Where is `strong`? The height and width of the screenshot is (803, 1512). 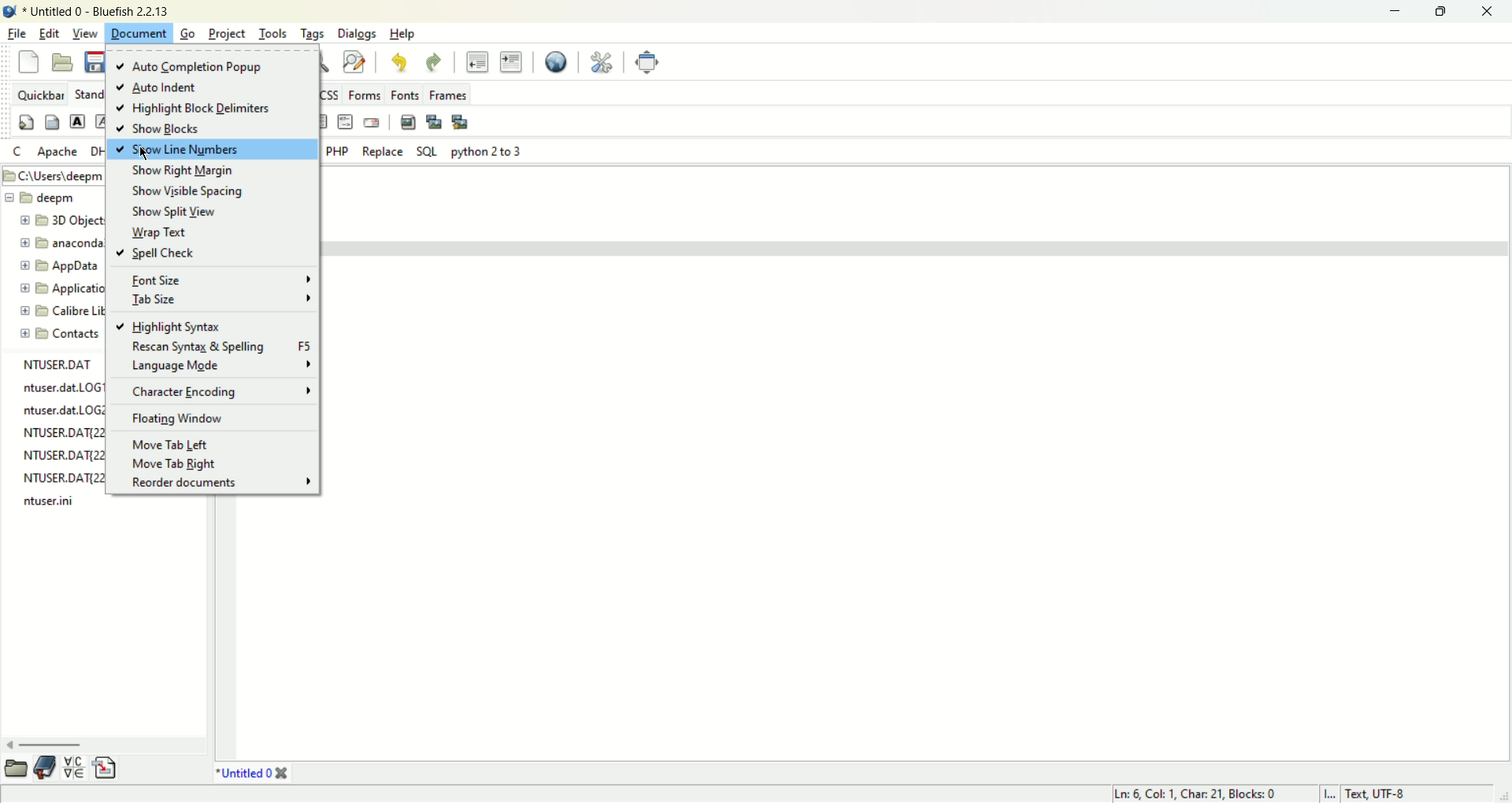 strong is located at coordinates (76, 120).